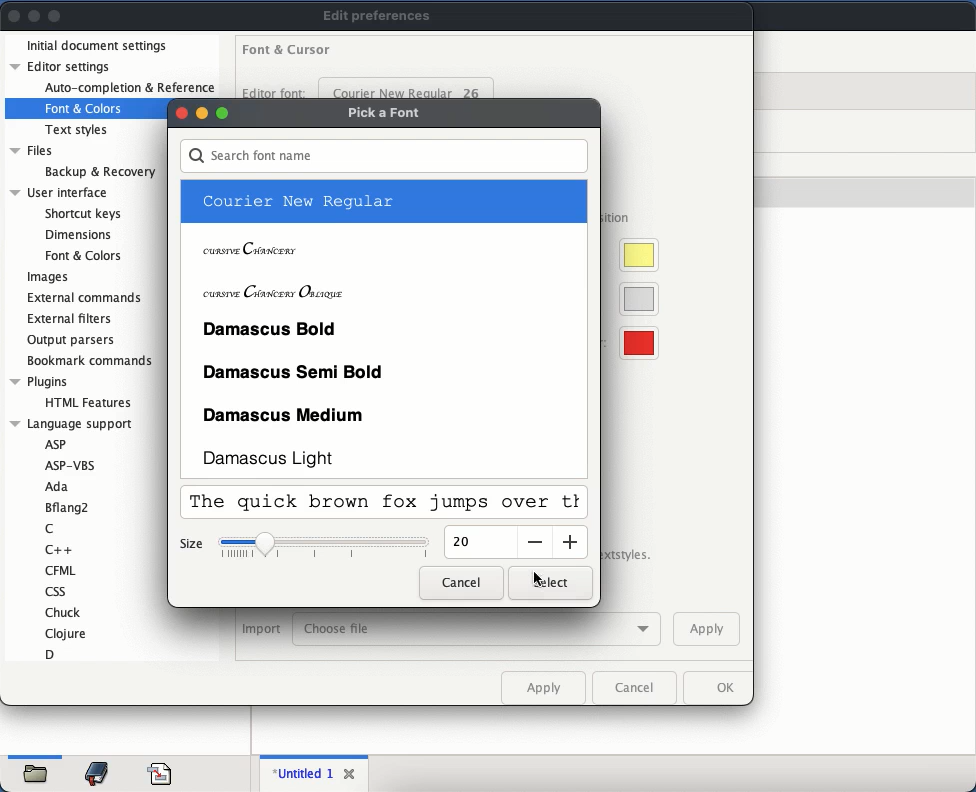  Describe the element at coordinates (61, 549) in the screenshot. I see `C++` at that location.